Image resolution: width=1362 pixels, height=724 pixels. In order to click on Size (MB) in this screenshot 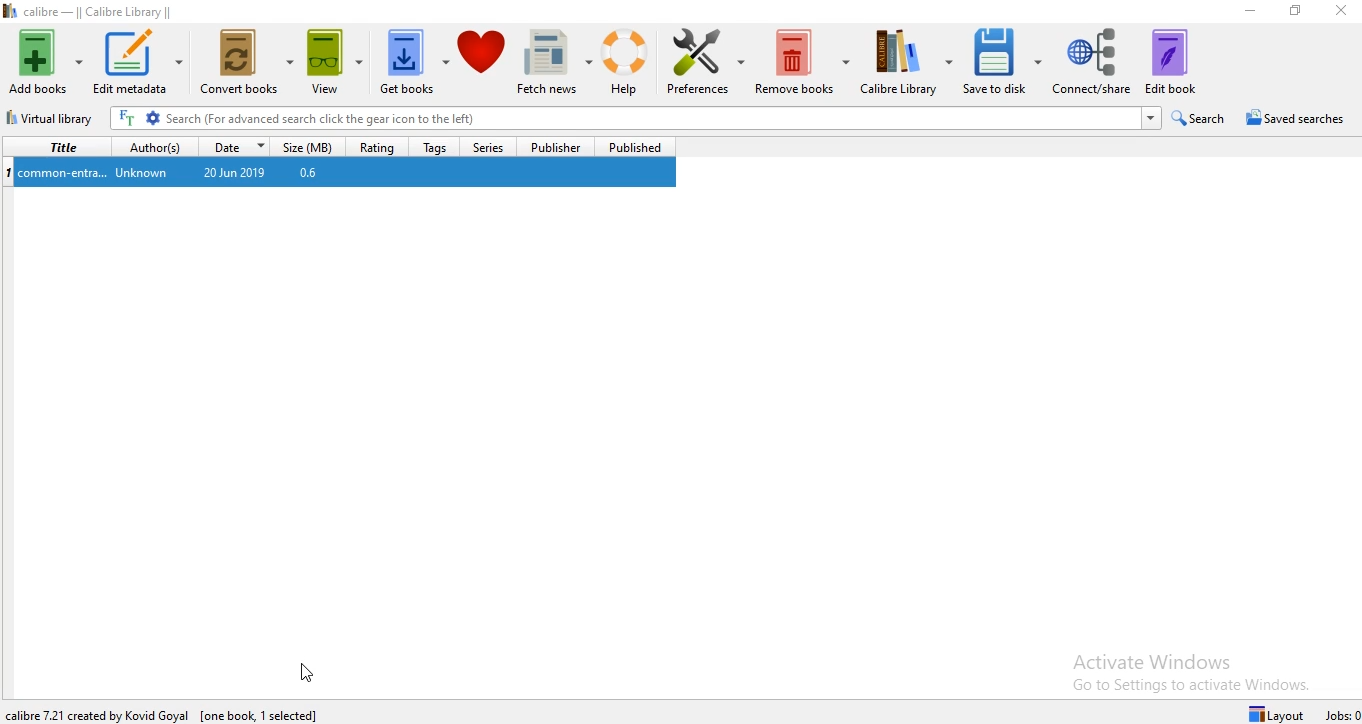, I will do `click(310, 148)`.